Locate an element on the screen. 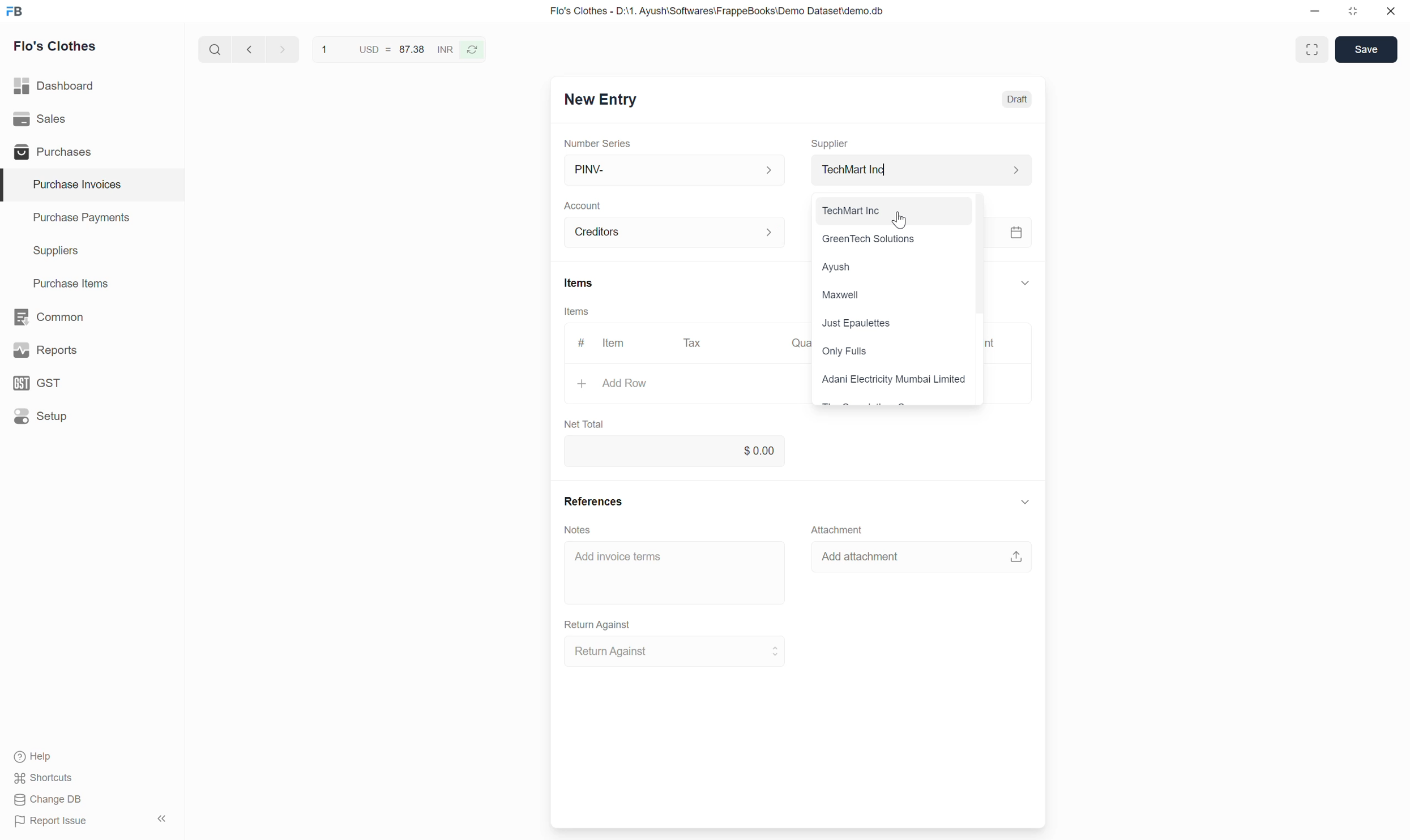  Purchase Items is located at coordinates (65, 281).